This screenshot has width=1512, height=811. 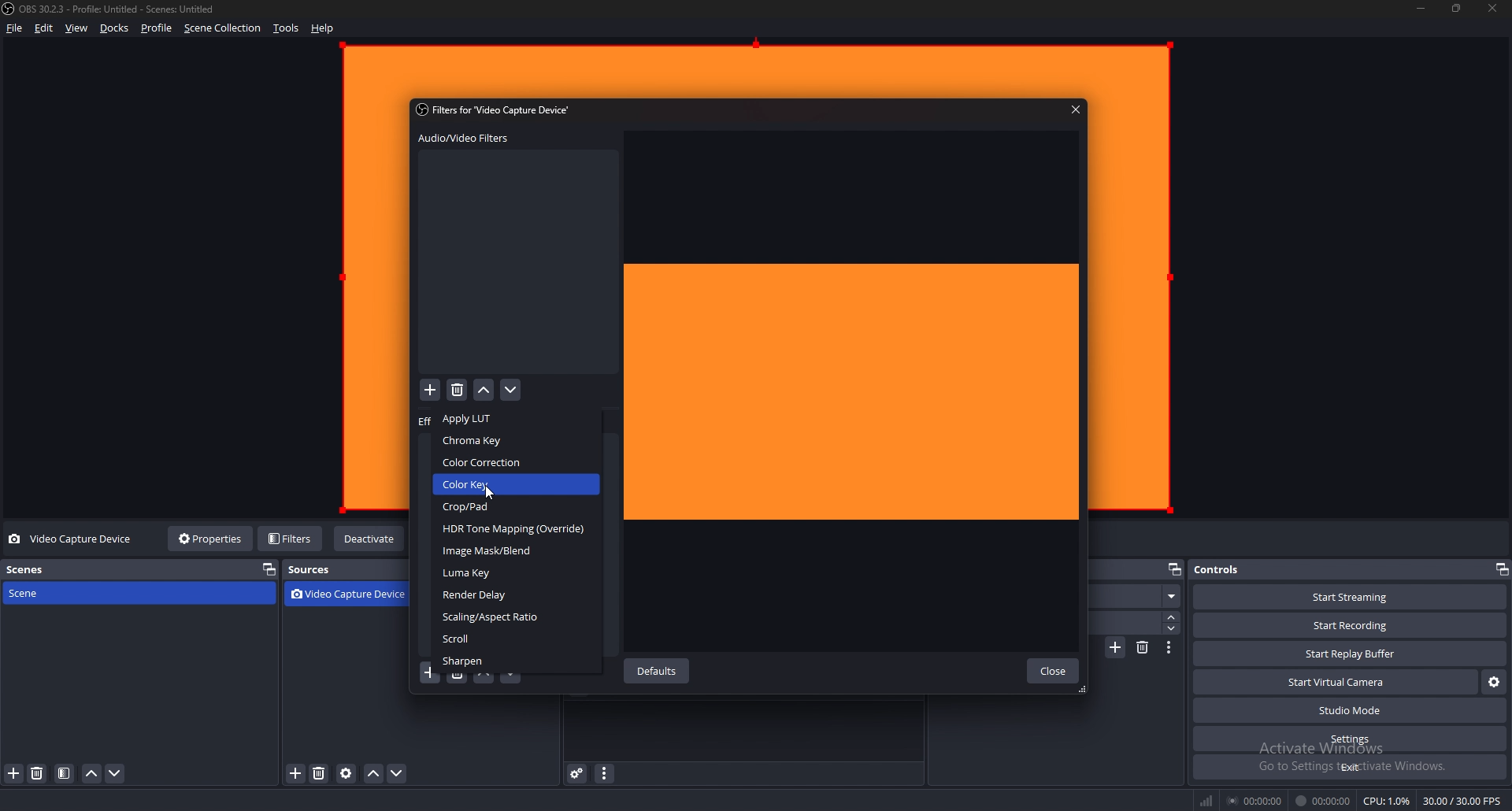 I want to click on file, so click(x=13, y=28).